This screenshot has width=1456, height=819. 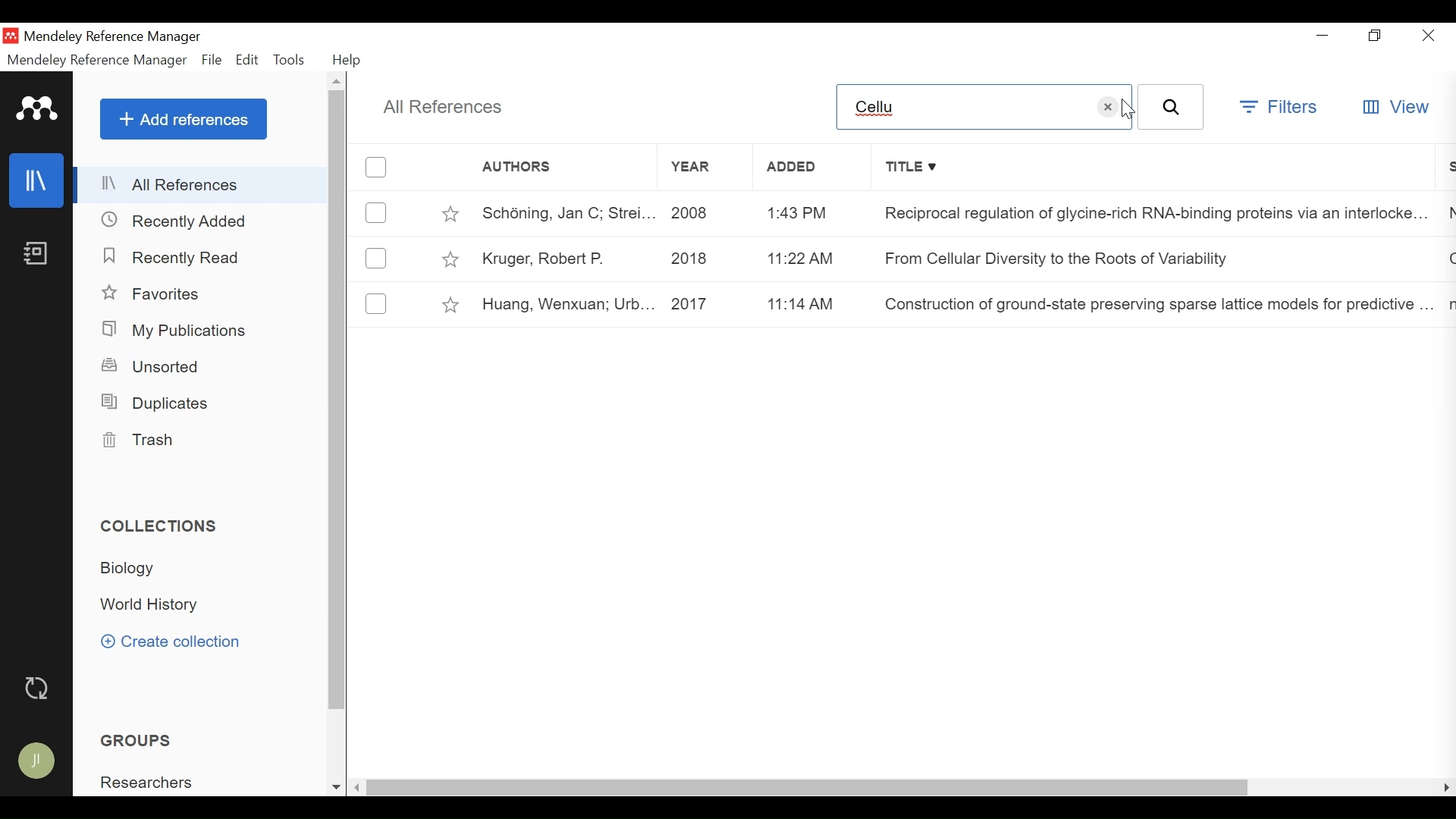 What do you see at coordinates (708, 213) in the screenshot?
I see `2008` at bounding box center [708, 213].